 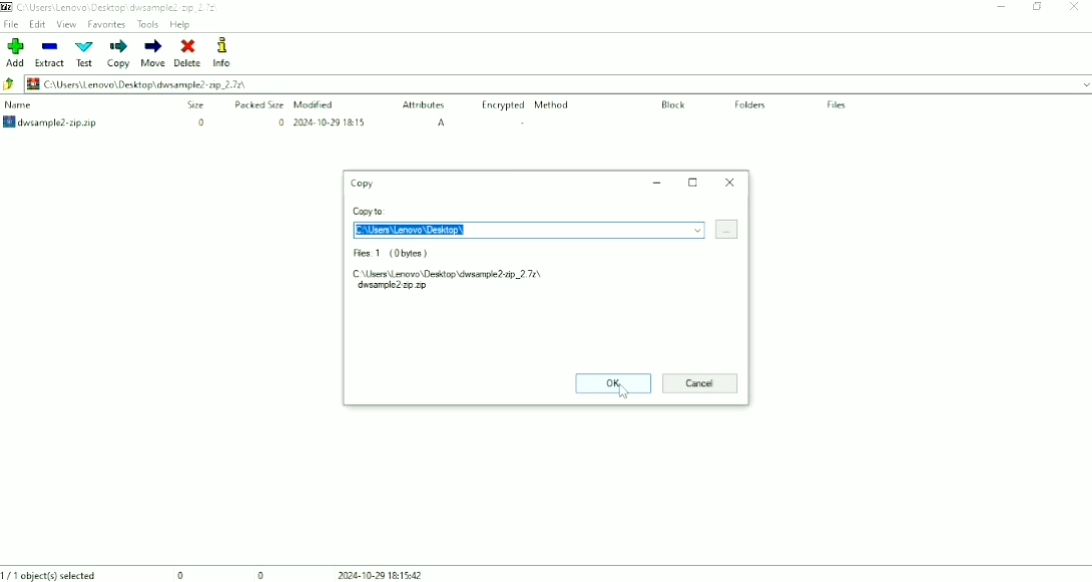 What do you see at coordinates (727, 229) in the screenshot?
I see `Browse For Folder` at bounding box center [727, 229].